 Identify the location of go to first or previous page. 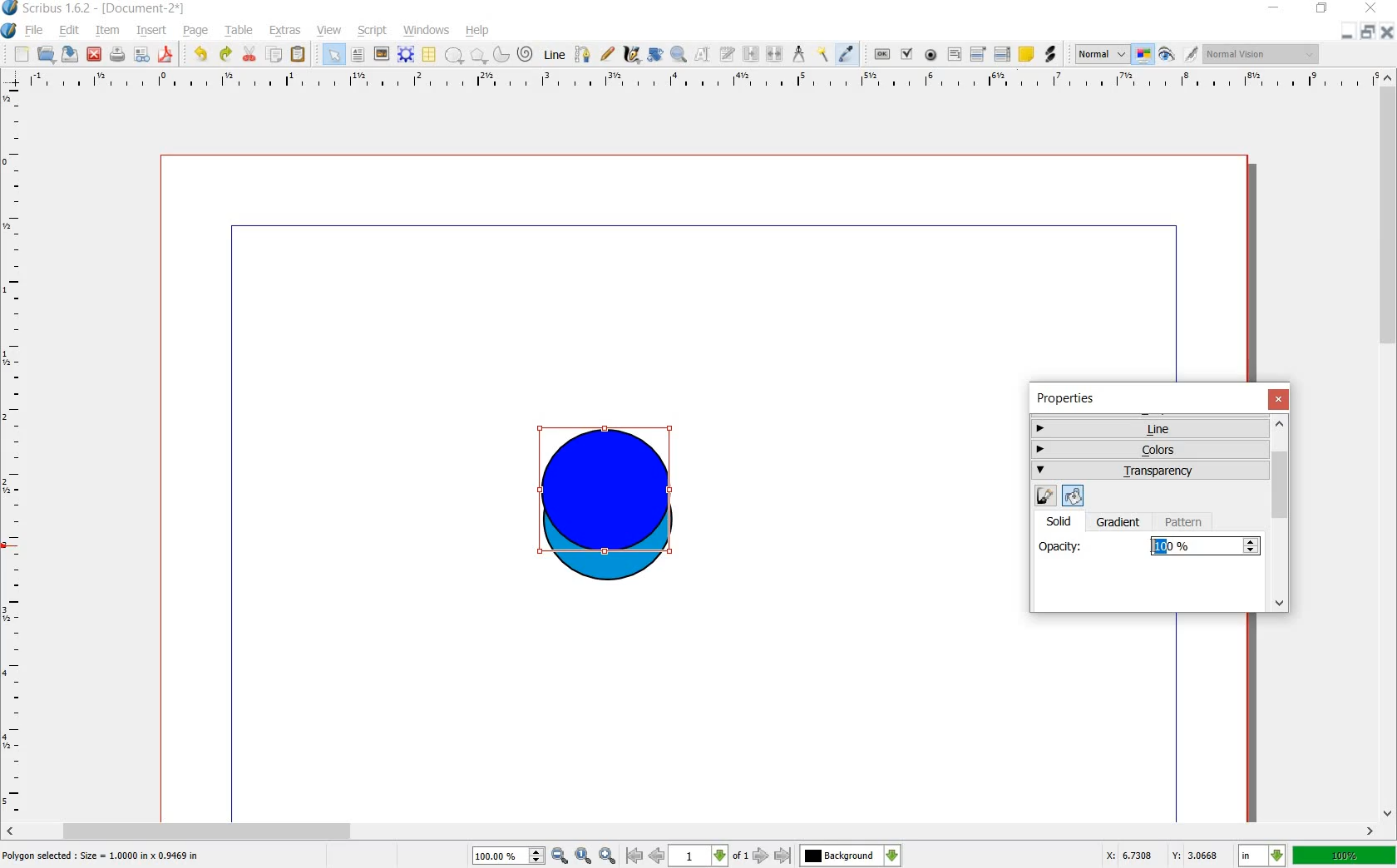
(645, 856).